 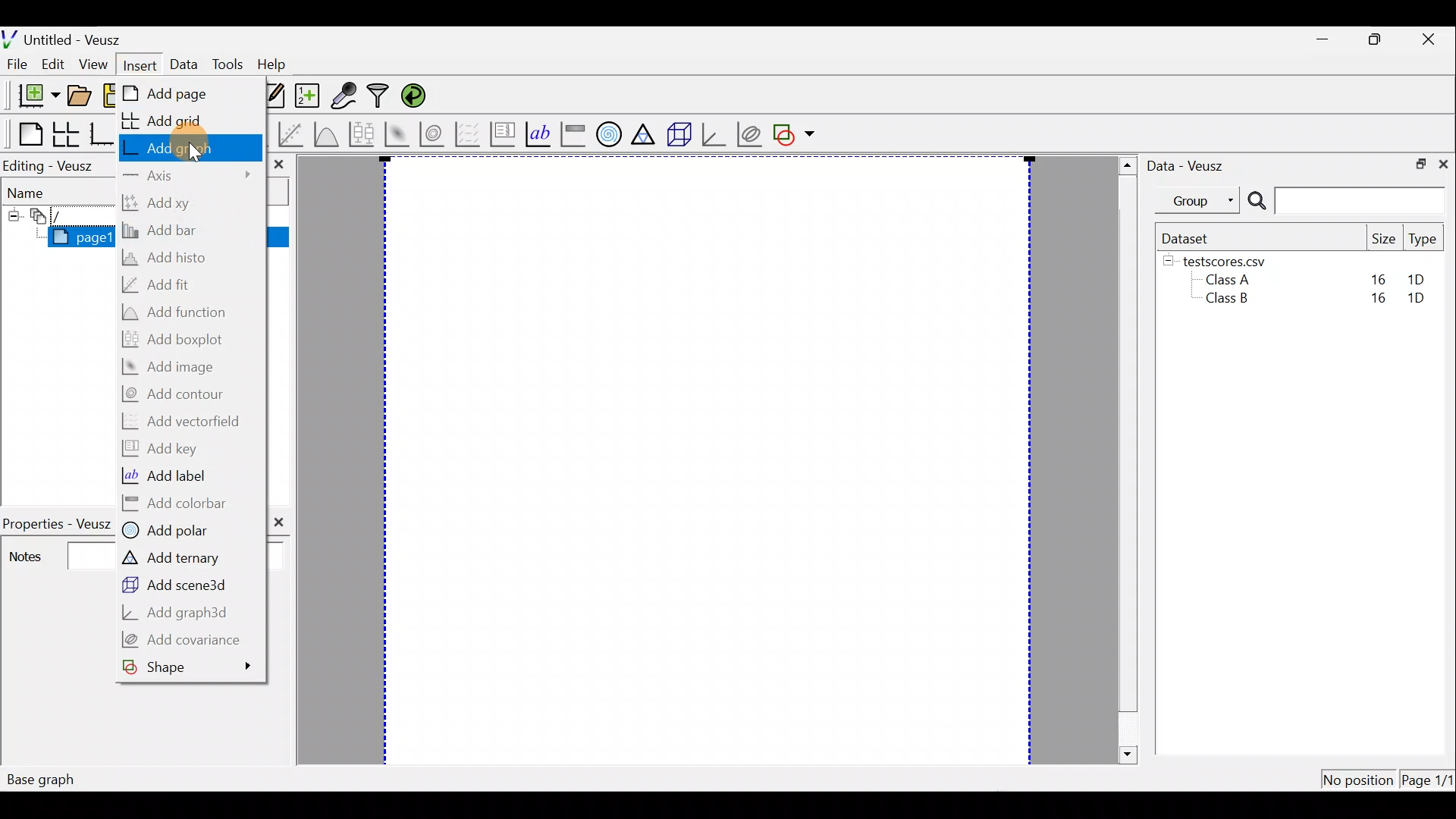 What do you see at coordinates (645, 133) in the screenshot?
I see `Ternary graph` at bounding box center [645, 133].